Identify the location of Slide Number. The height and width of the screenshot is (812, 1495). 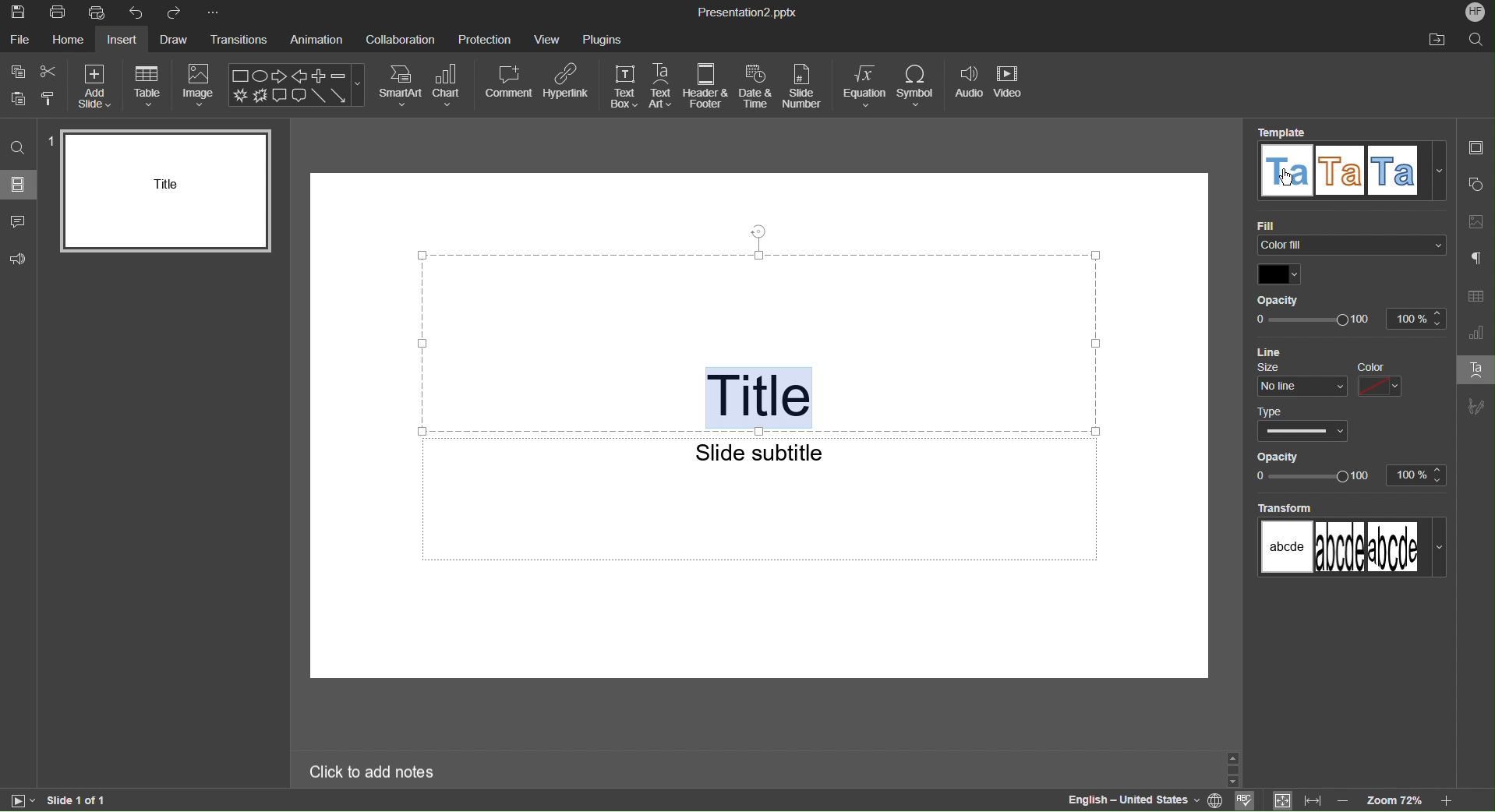
(806, 86).